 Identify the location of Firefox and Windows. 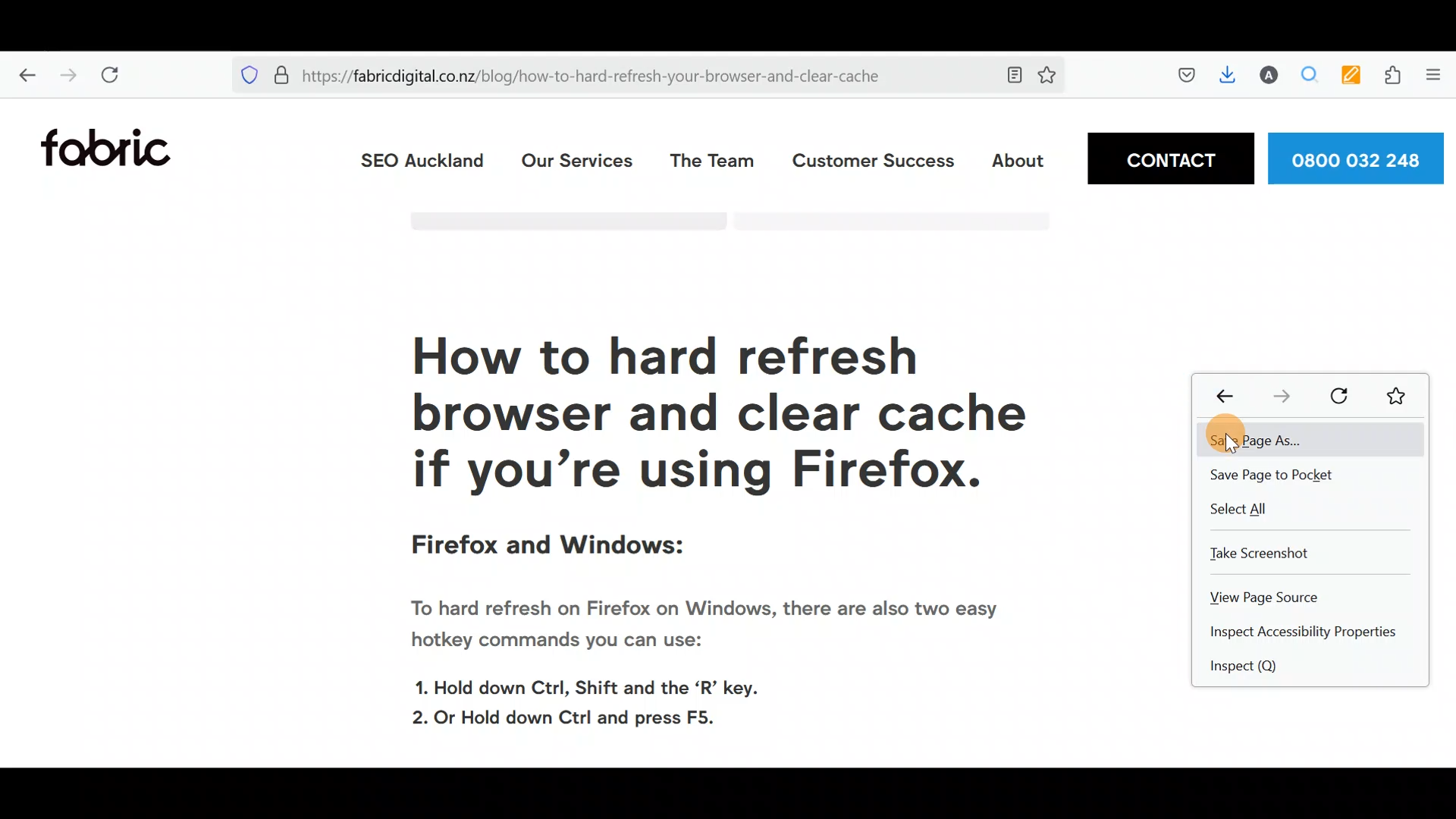
(549, 549).